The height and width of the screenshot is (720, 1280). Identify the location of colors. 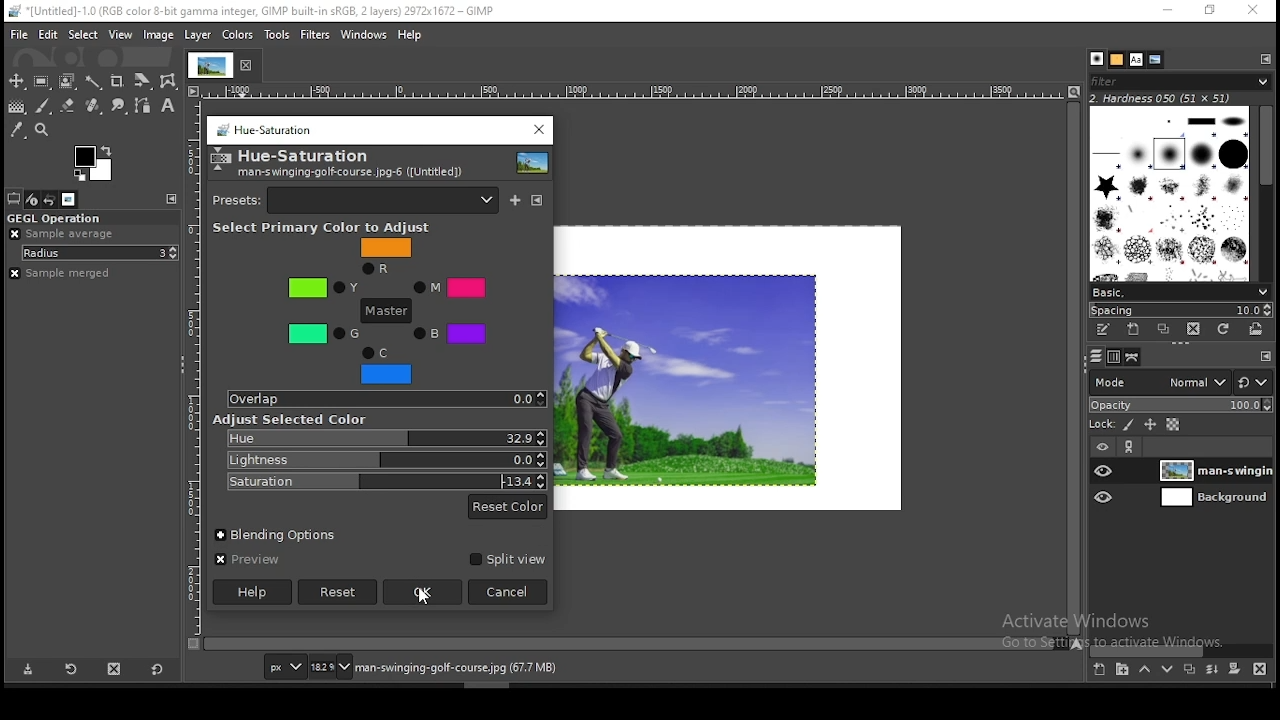
(95, 161).